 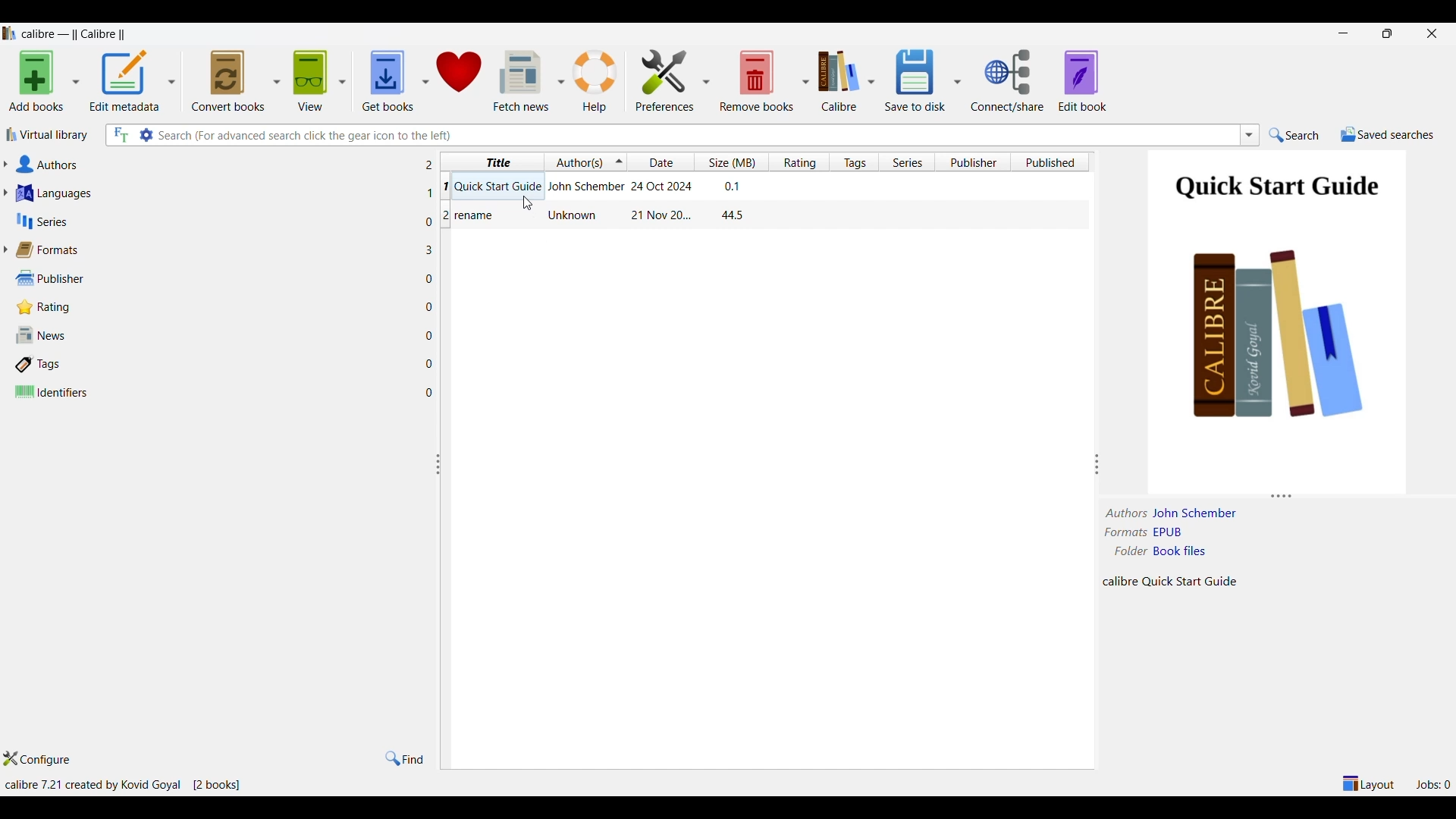 I want to click on Change height of panels attached, so click(x=1263, y=495).